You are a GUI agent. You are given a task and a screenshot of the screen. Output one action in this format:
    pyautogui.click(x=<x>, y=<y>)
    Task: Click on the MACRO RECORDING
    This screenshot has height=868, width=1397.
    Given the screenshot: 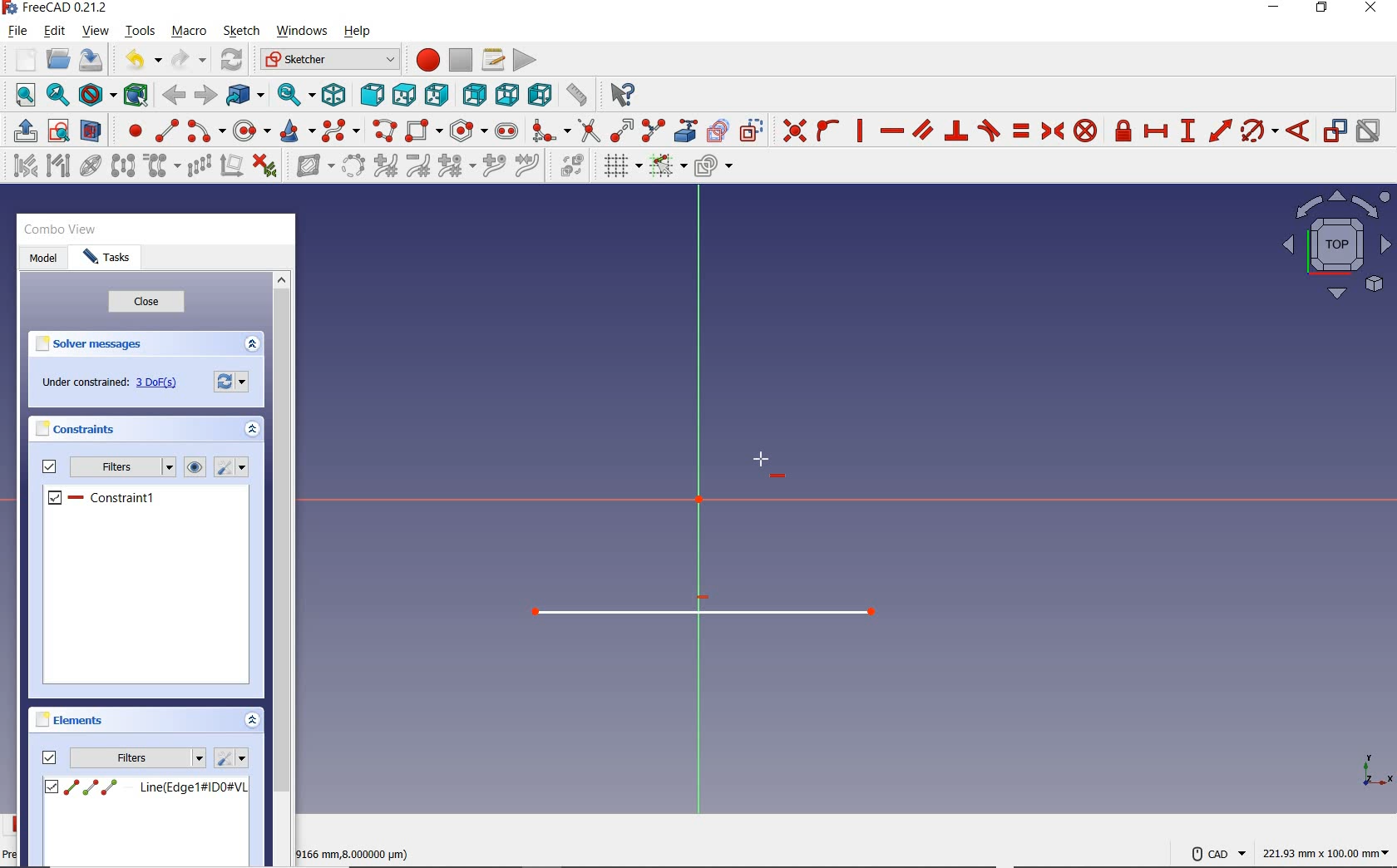 What is the action you would take?
    pyautogui.click(x=428, y=59)
    